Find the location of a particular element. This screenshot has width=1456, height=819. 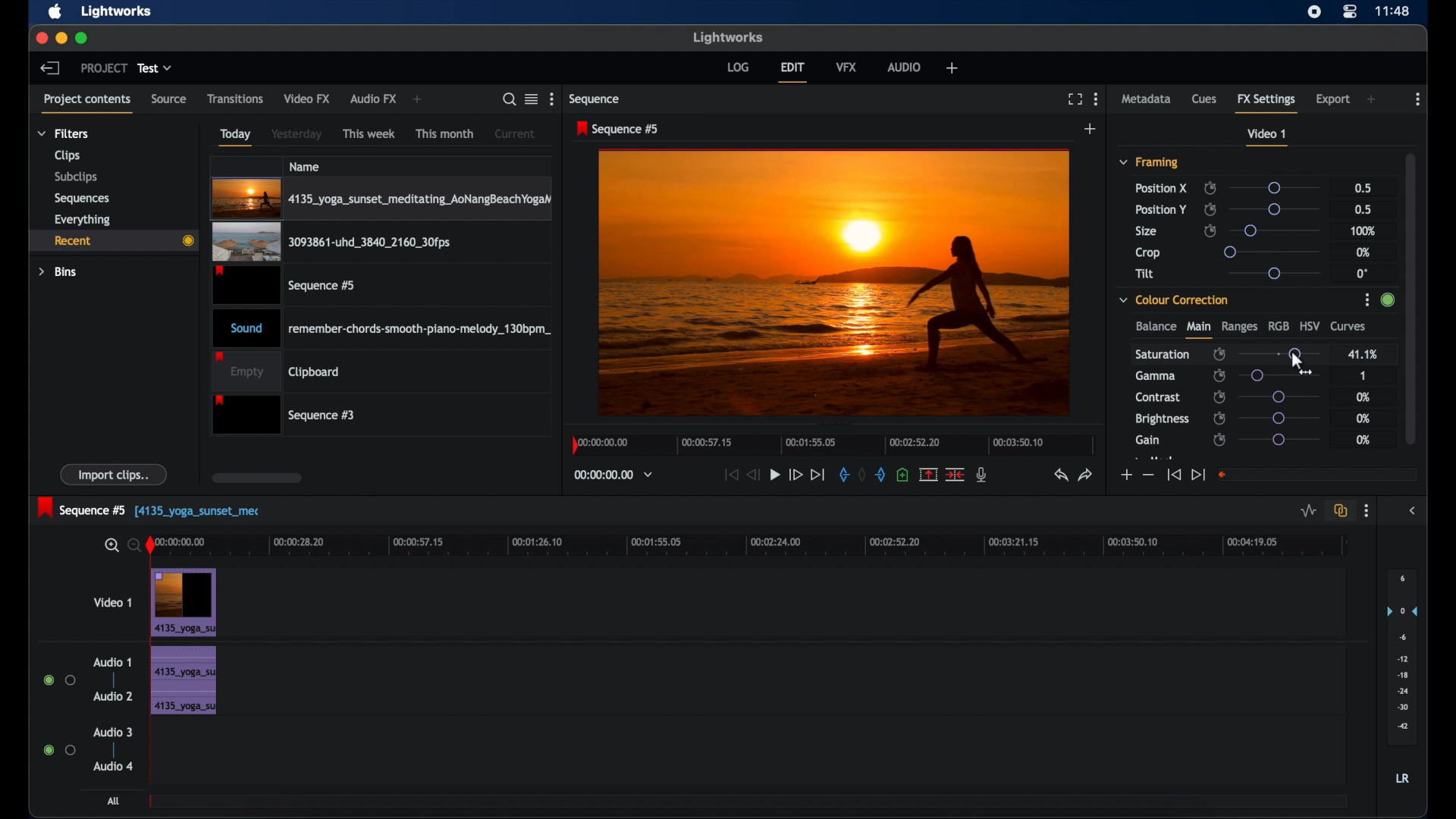

close is located at coordinates (38, 38).